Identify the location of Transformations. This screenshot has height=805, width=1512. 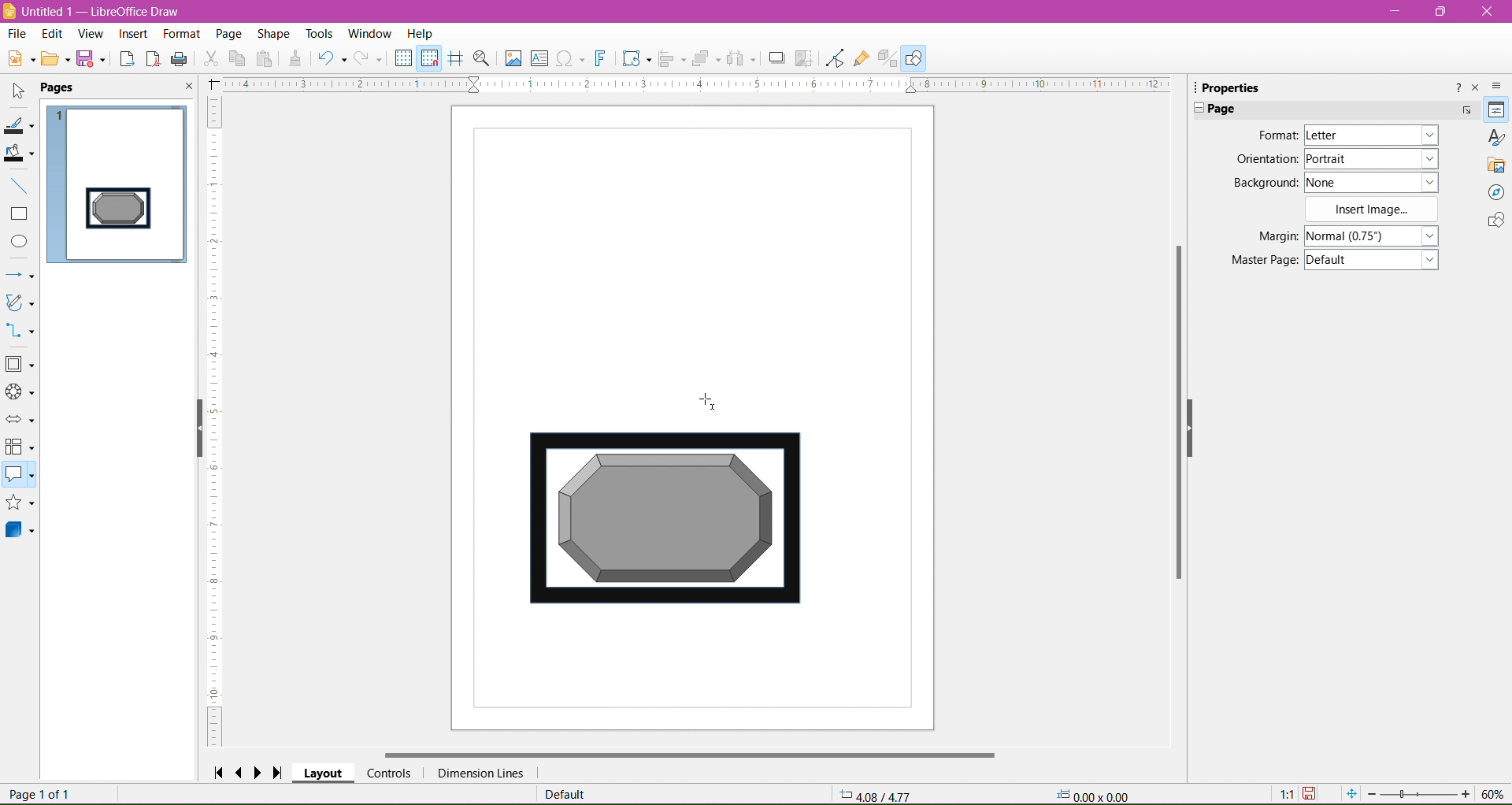
(636, 60).